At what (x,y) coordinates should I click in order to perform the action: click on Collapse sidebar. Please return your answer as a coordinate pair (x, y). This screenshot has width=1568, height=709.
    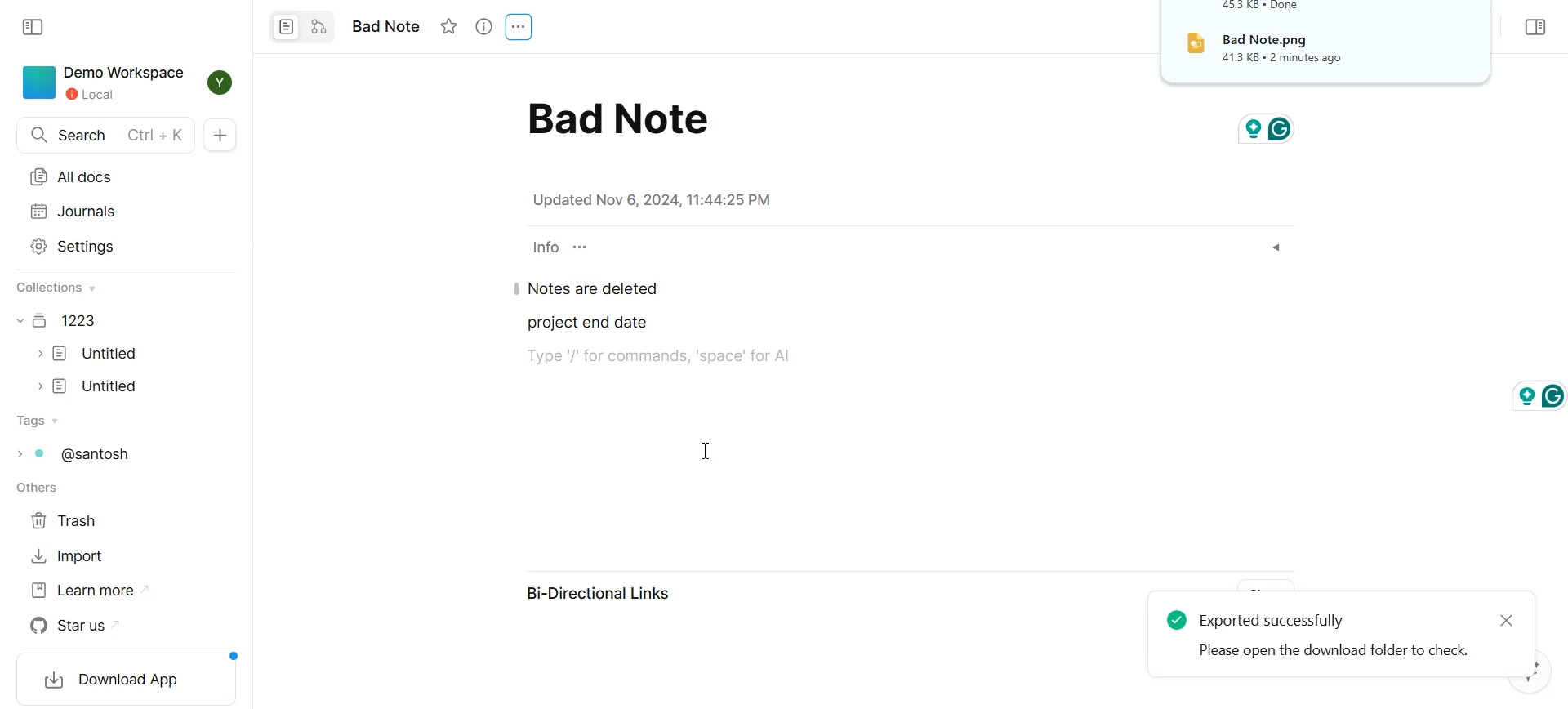
    Looking at the image, I should click on (1533, 28).